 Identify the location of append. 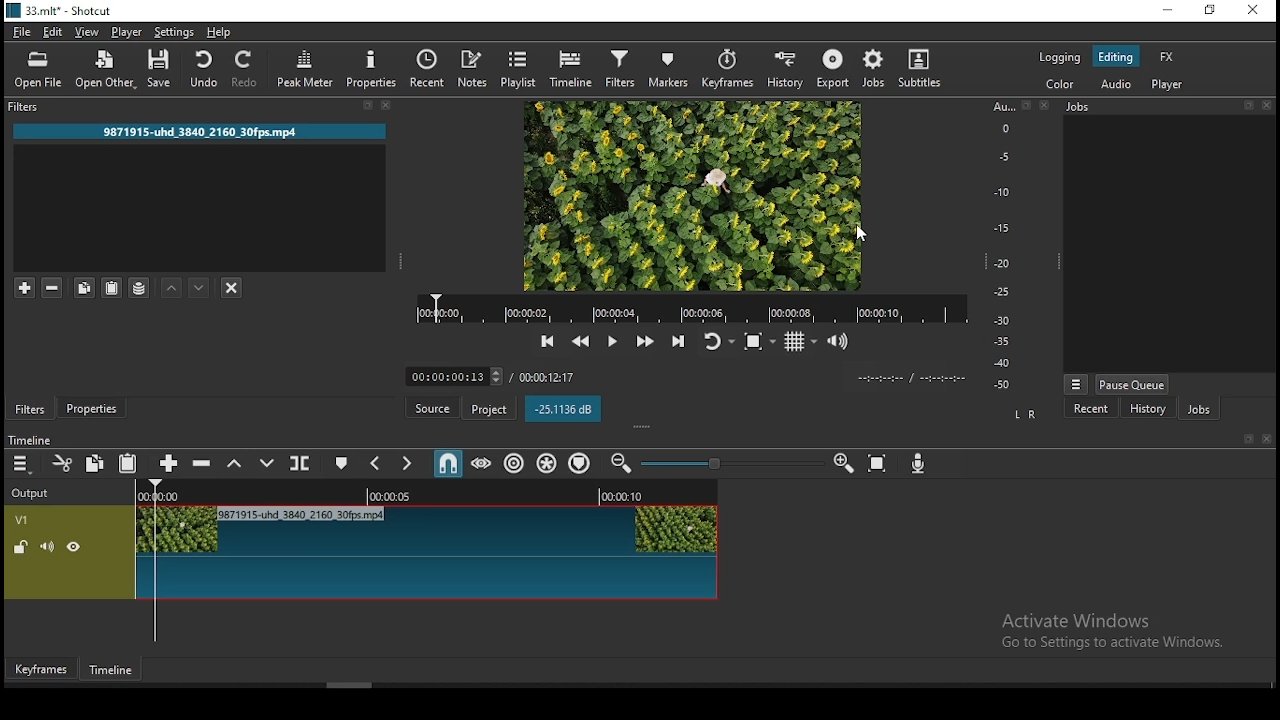
(170, 464).